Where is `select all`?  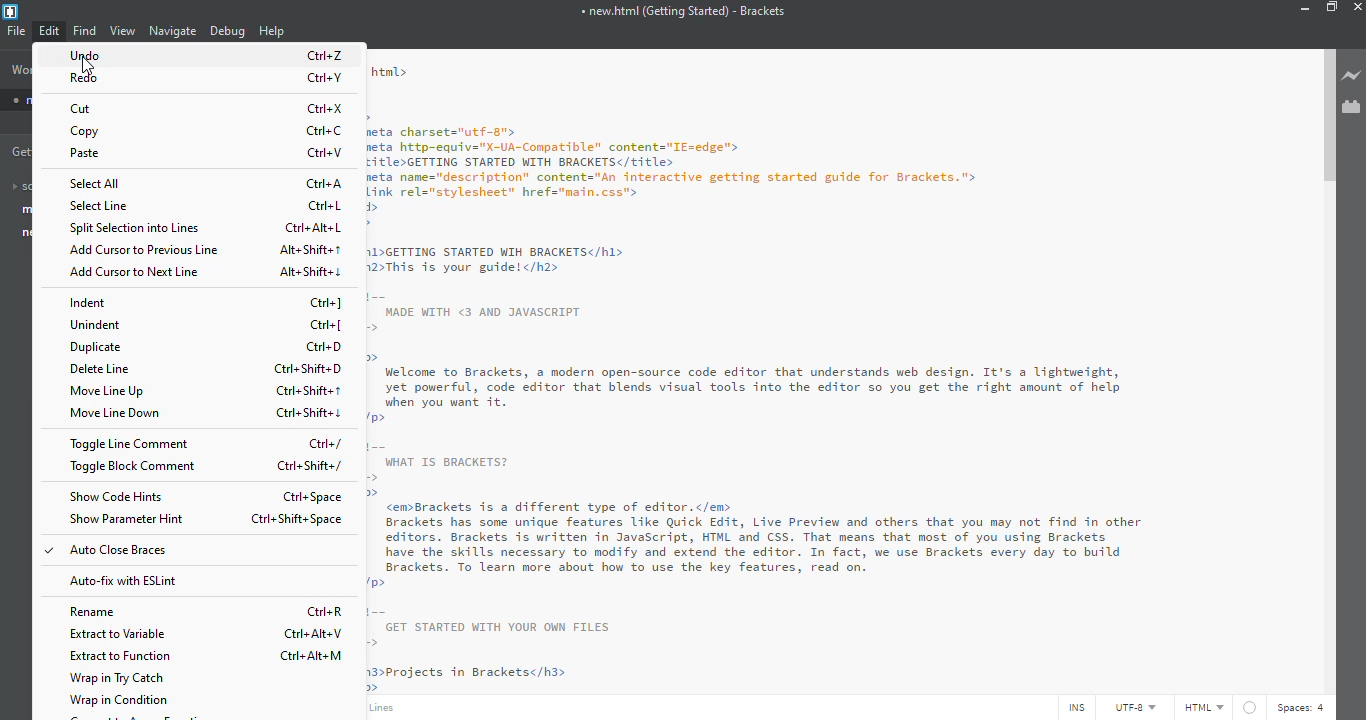
select all is located at coordinates (100, 184).